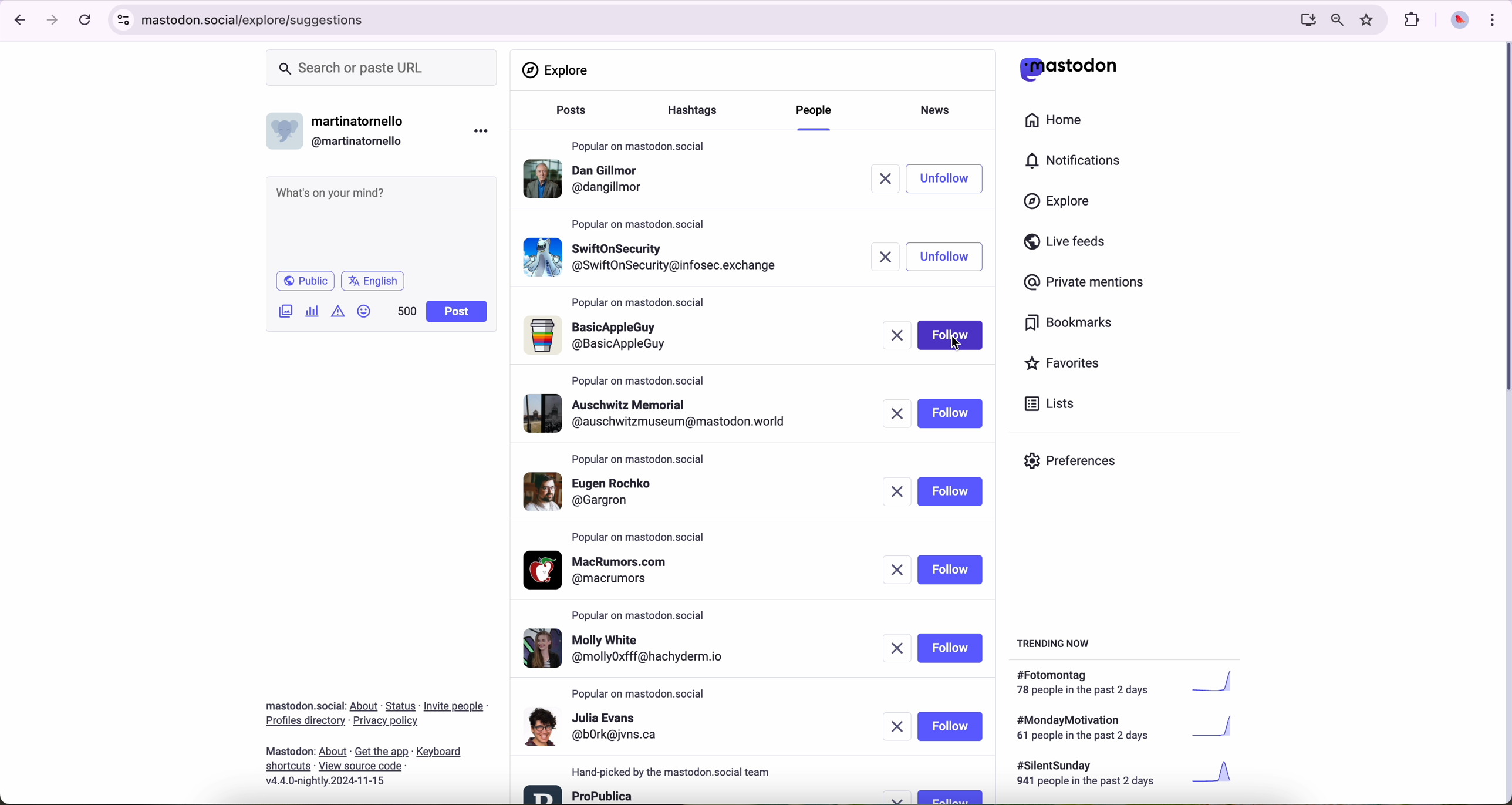  Describe the element at coordinates (950, 796) in the screenshot. I see `follow button` at that location.